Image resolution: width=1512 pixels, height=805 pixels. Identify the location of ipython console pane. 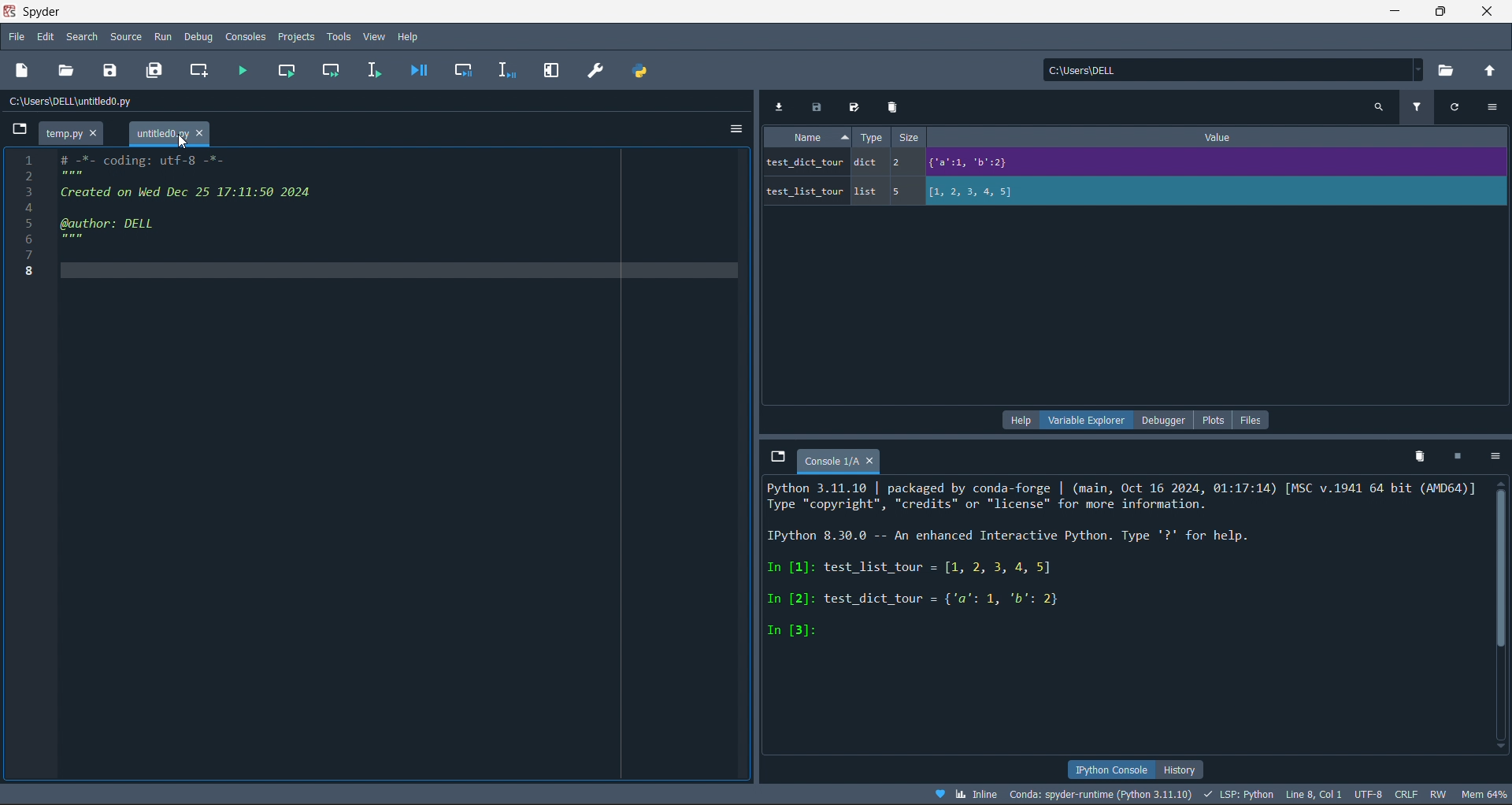
(1105, 769).